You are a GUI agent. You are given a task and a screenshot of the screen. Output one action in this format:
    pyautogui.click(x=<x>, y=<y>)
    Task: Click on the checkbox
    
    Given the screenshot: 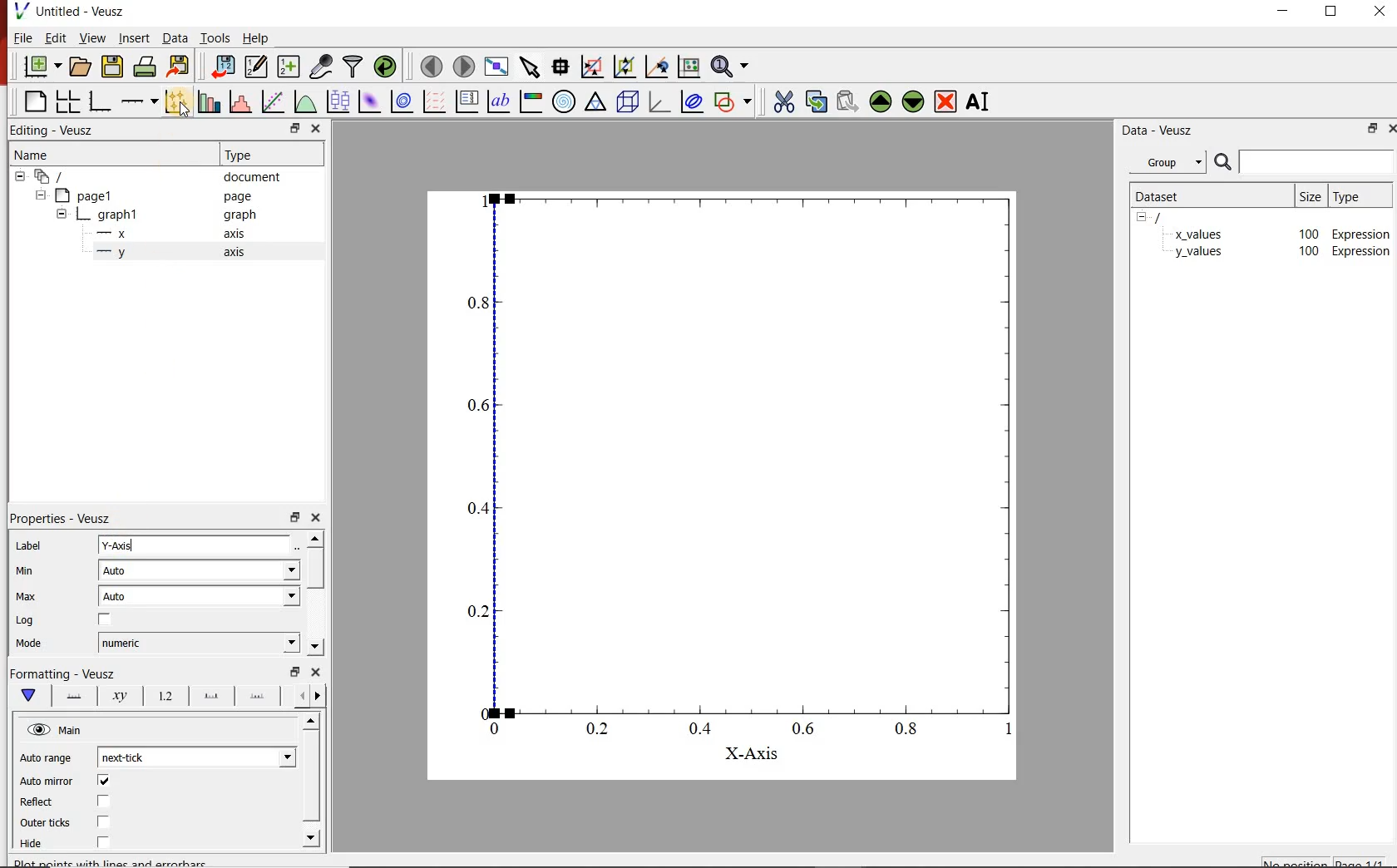 What is the action you would take?
    pyautogui.click(x=105, y=779)
    